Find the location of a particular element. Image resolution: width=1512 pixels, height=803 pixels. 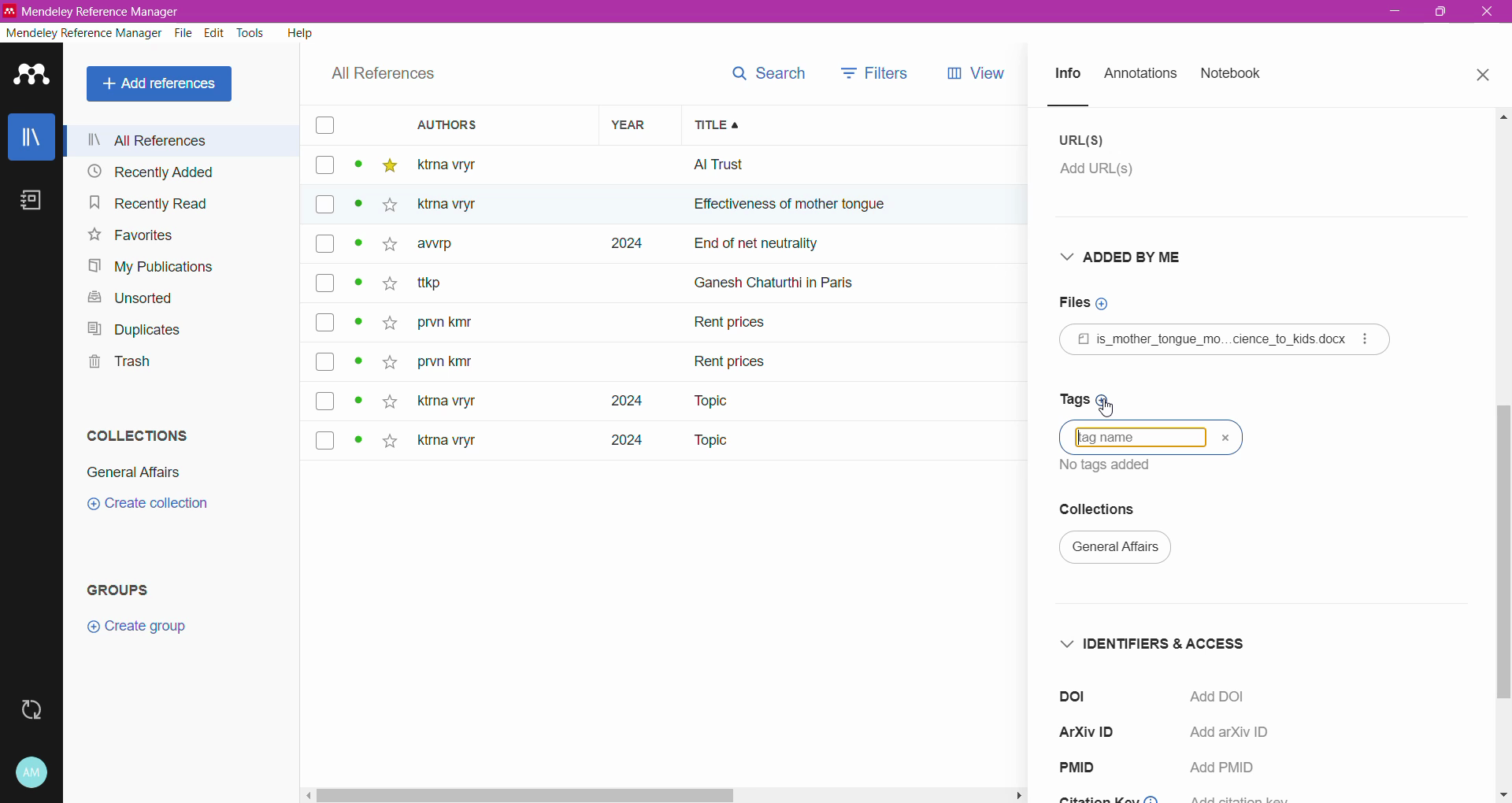

star is located at coordinates (384, 250).